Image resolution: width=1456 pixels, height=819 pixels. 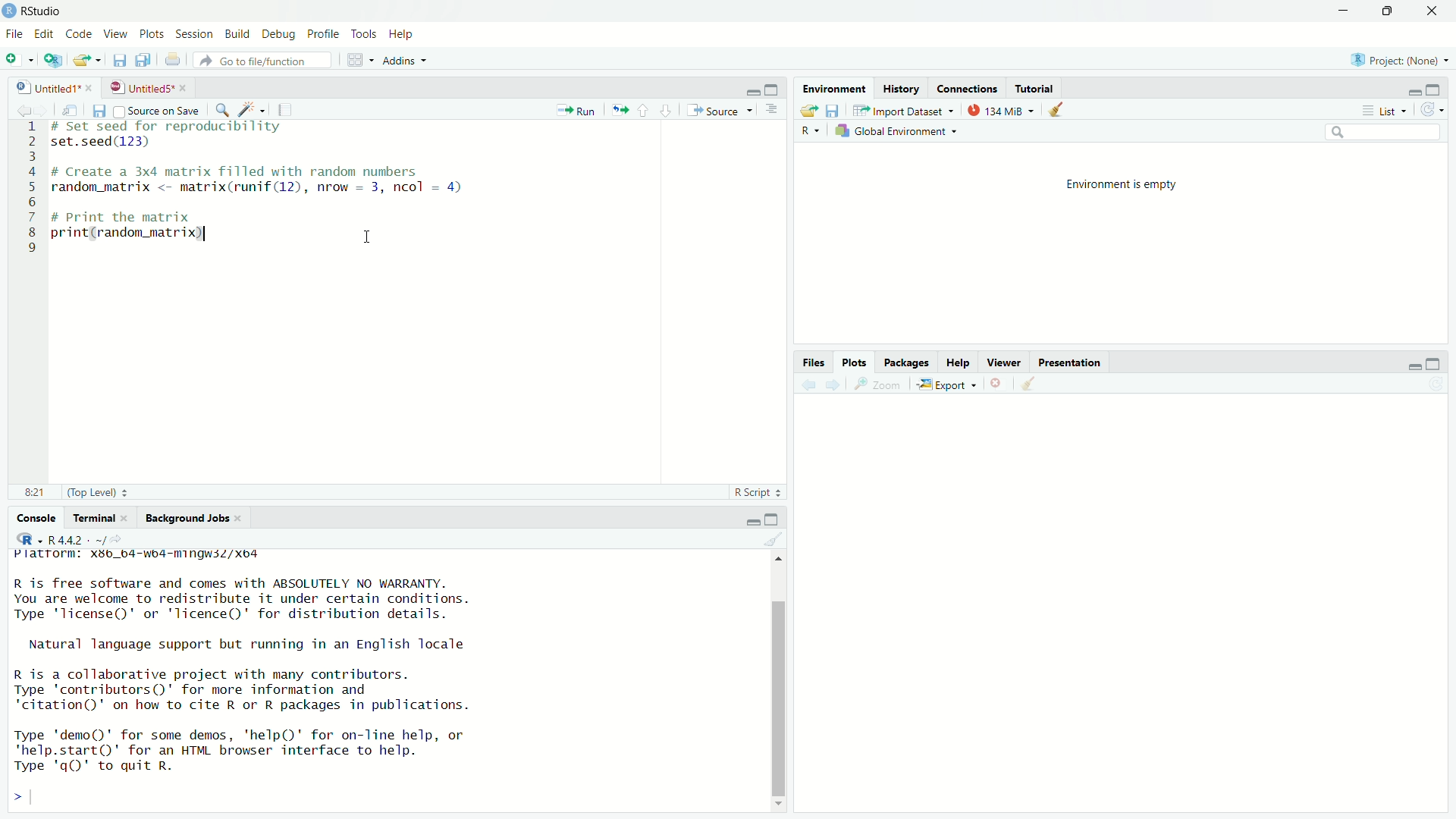 I want to click on search, so click(x=224, y=107).